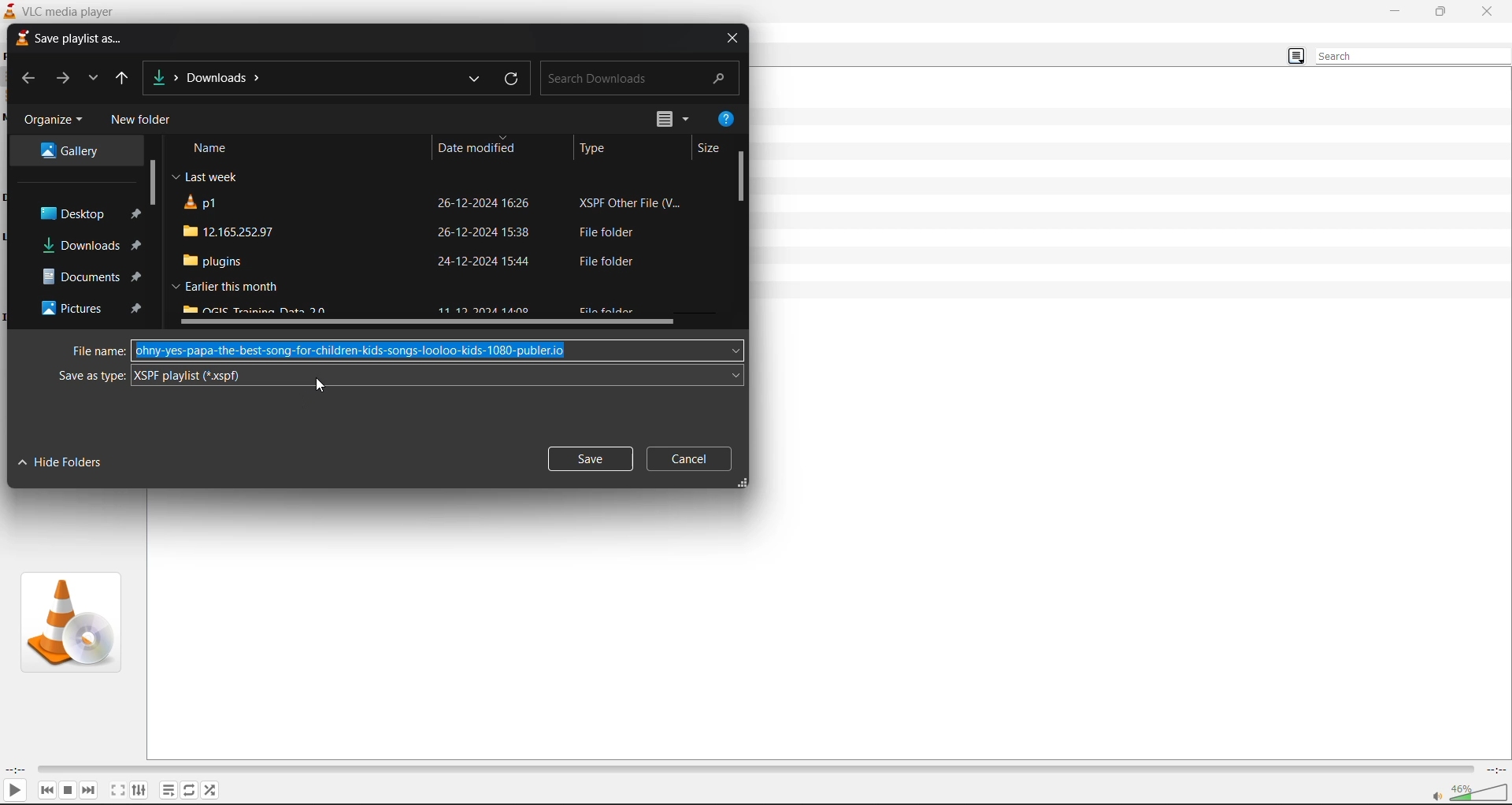  Describe the element at coordinates (28, 81) in the screenshot. I see `previous` at that location.